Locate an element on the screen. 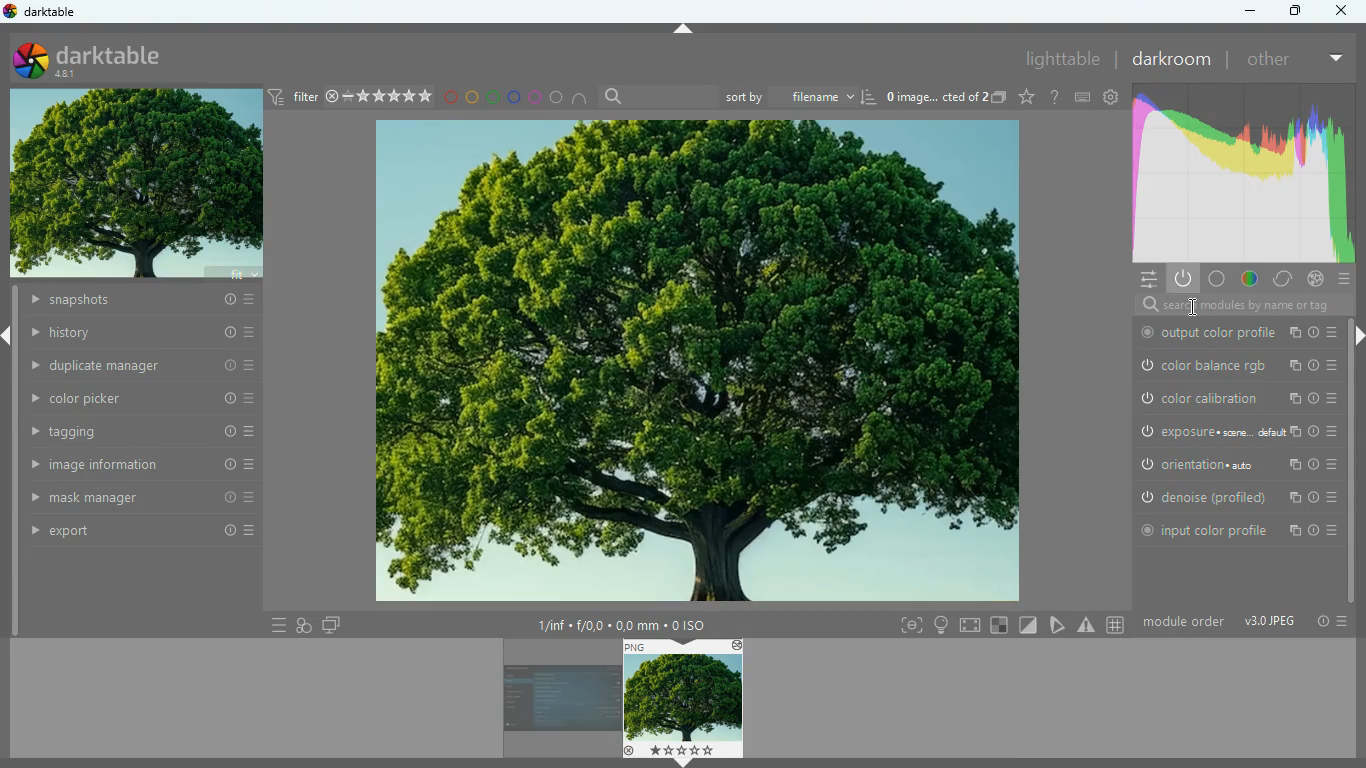 The image size is (1366, 768). frame is located at coordinates (908, 626).